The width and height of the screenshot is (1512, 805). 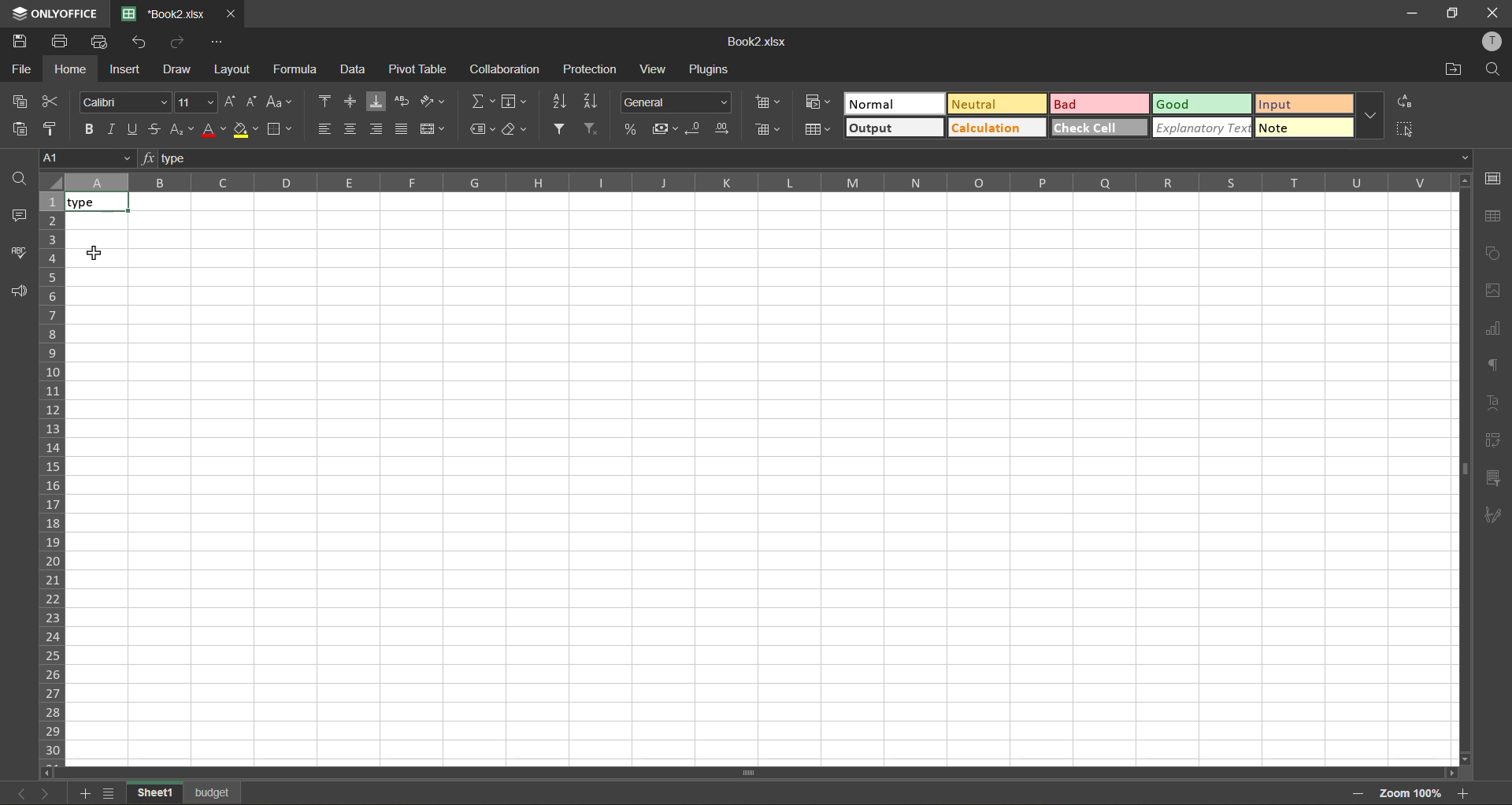 What do you see at coordinates (52, 473) in the screenshot?
I see `row numbers` at bounding box center [52, 473].